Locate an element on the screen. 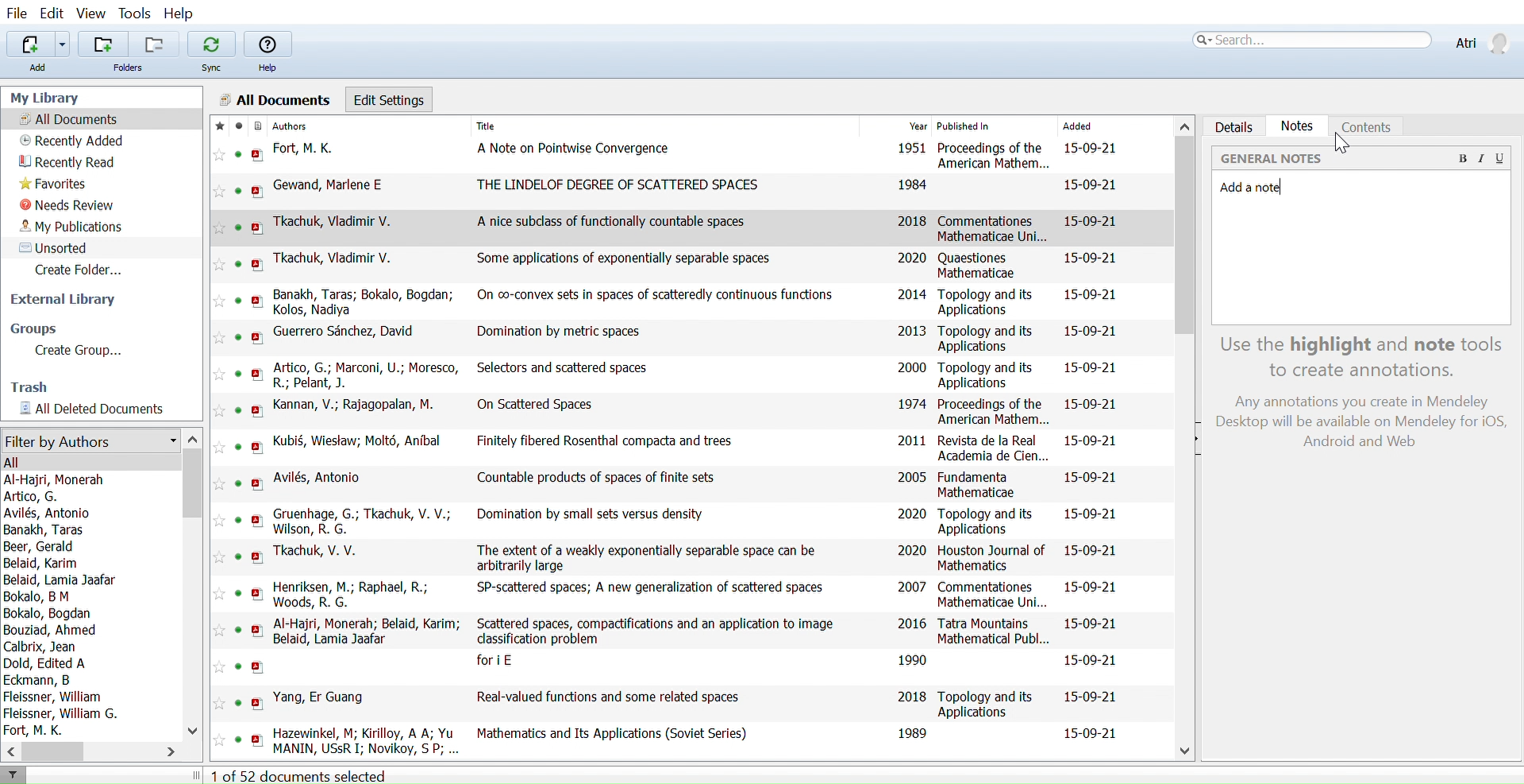 The width and height of the screenshot is (1524, 784). open PDF is located at coordinates (257, 375).